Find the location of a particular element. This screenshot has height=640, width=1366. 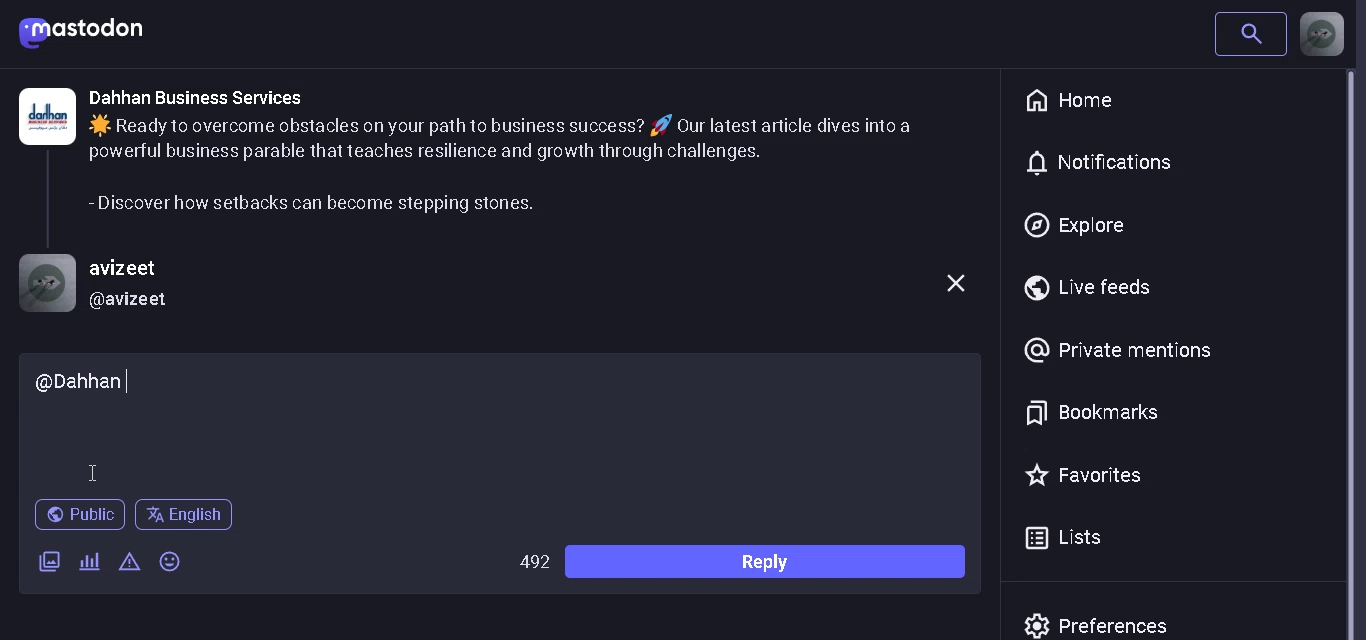

language is located at coordinates (189, 518).